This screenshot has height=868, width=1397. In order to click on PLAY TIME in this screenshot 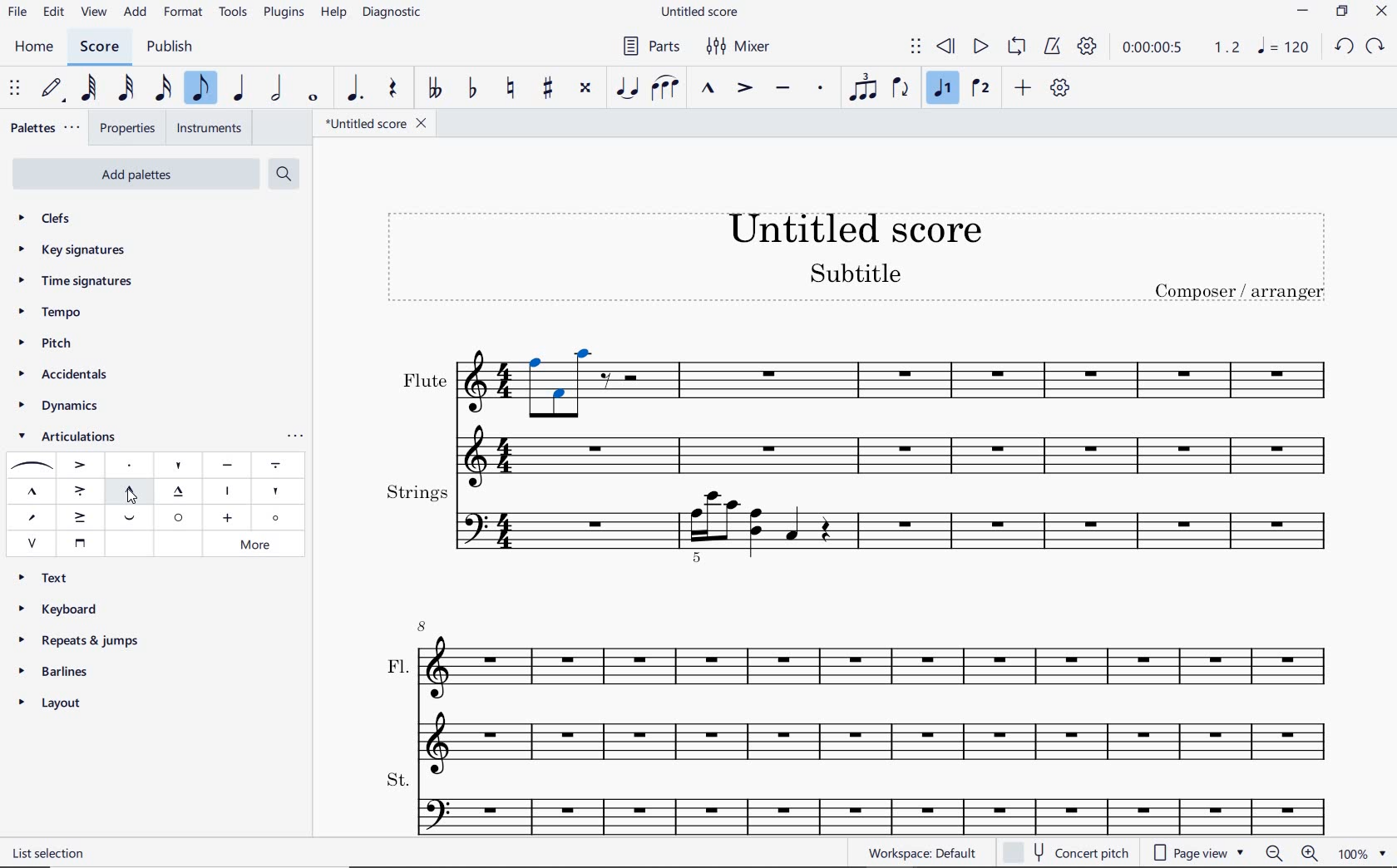, I will do `click(1179, 47)`.